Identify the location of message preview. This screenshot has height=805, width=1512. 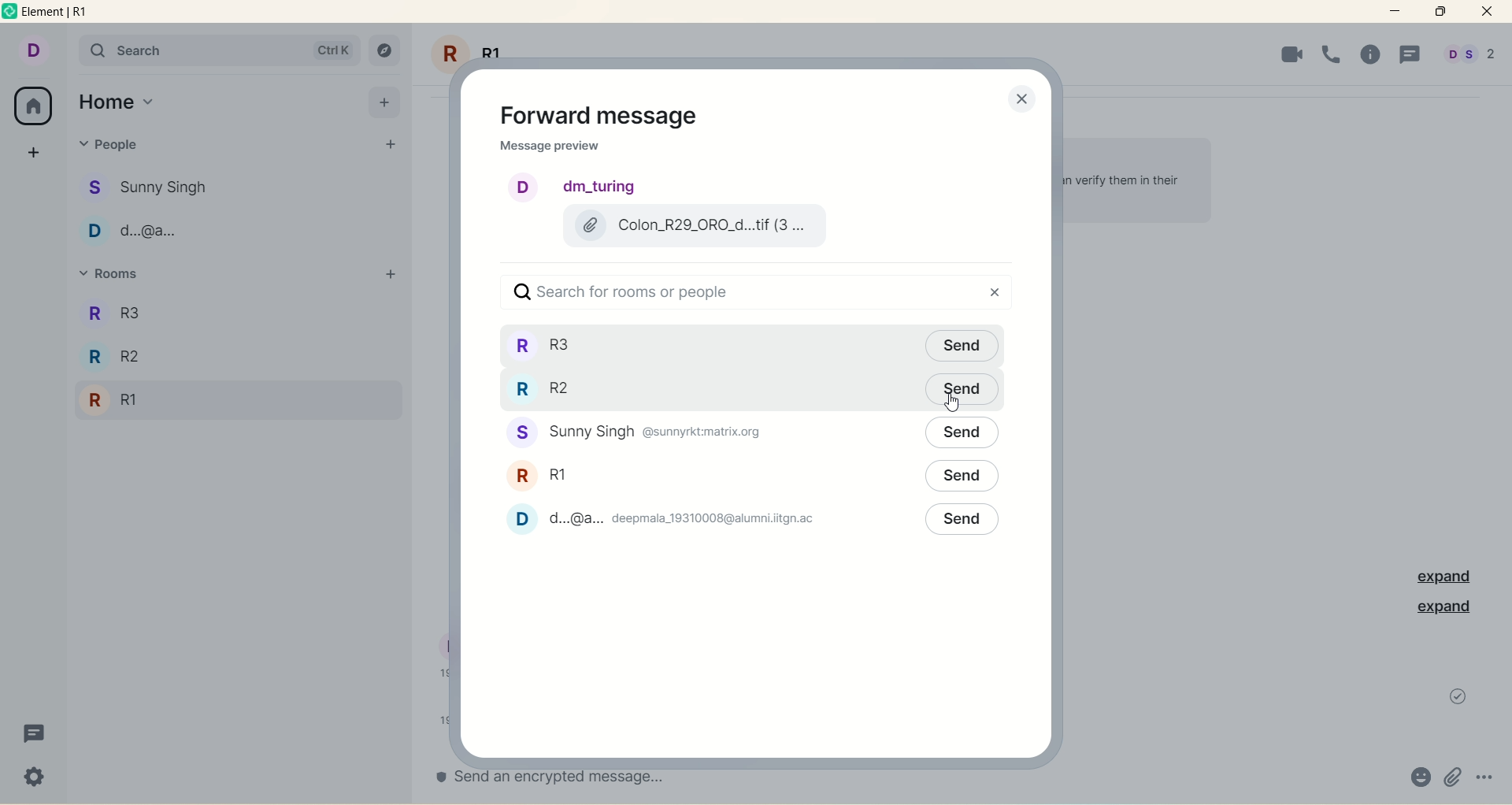
(550, 148).